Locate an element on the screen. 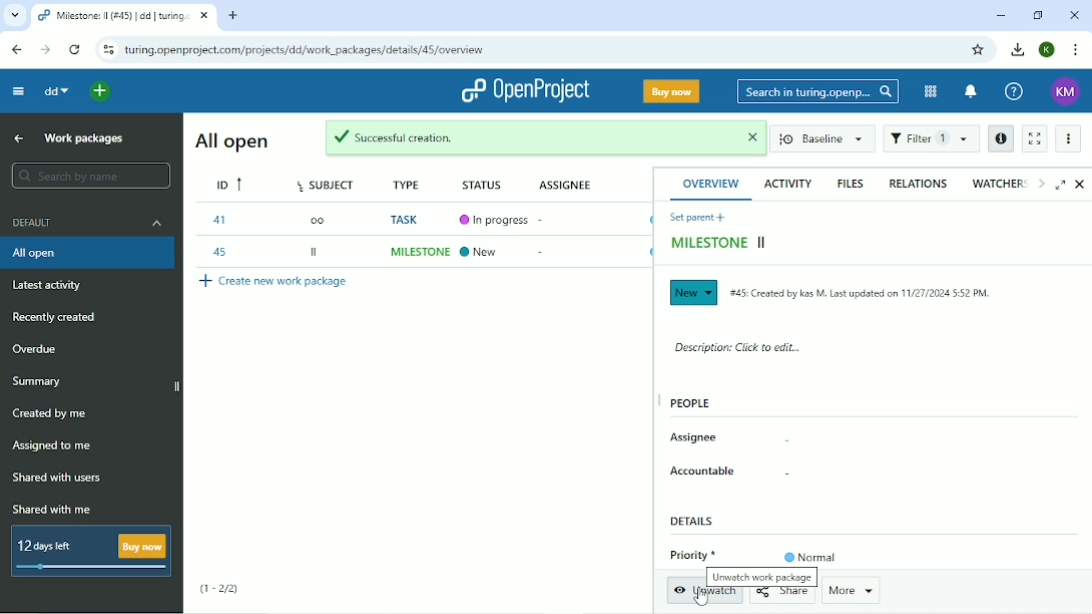  create new work package is located at coordinates (286, 282).